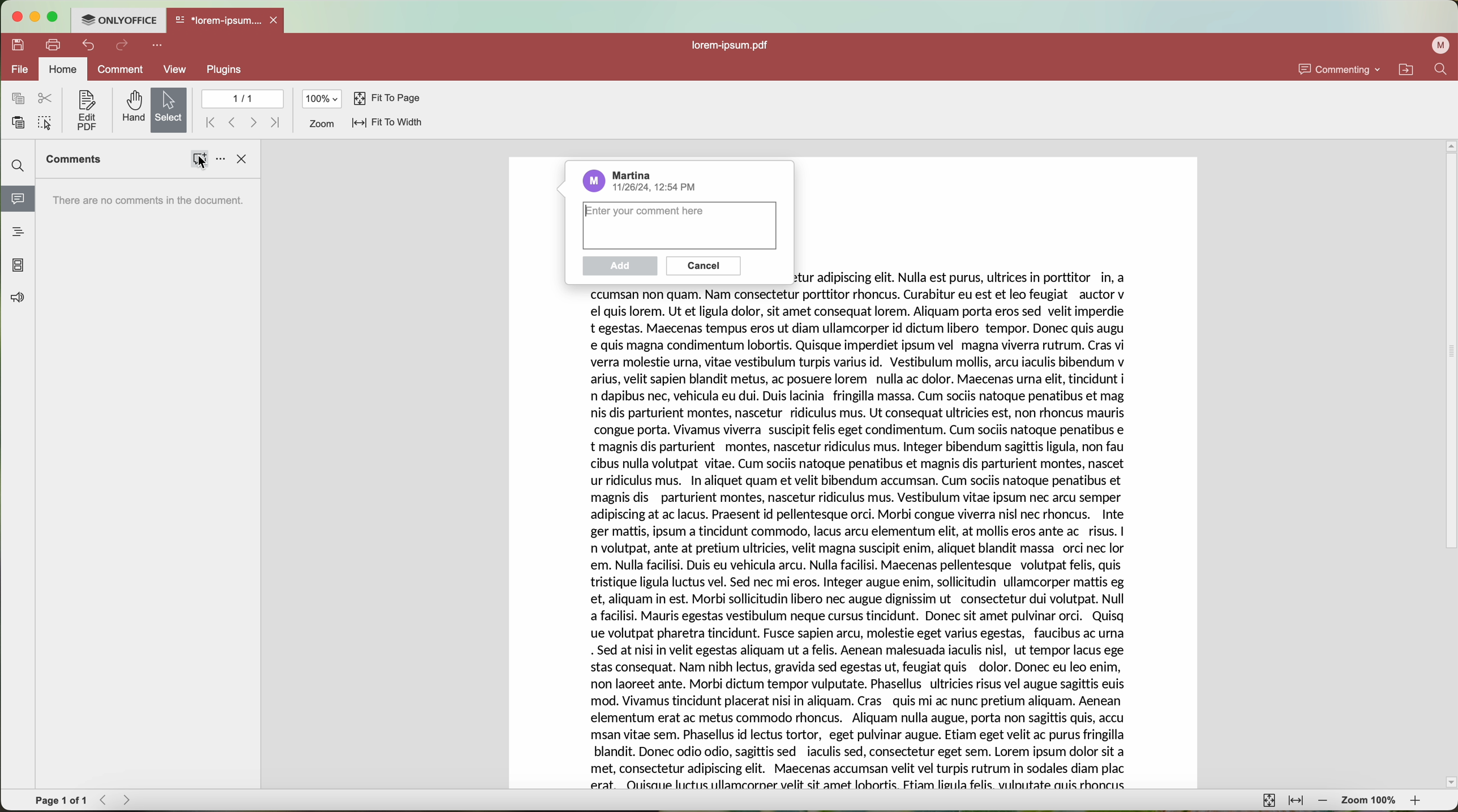 The height and width of the screenshot is (812, 1458). Describe the element at coordinates (620, 266) in the screenshot. I see `disable add button` at that location.